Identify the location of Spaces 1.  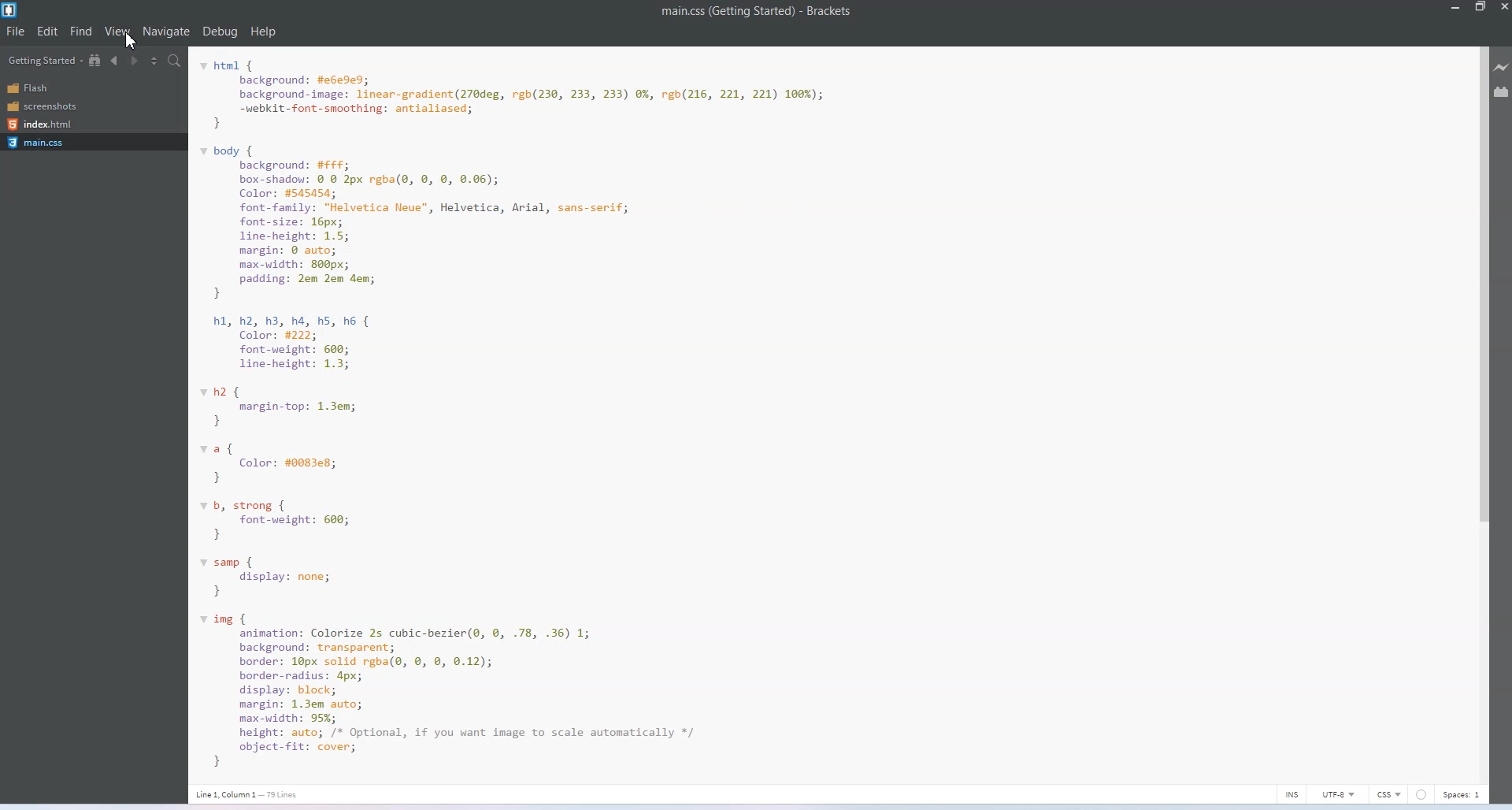
(1464, 795).